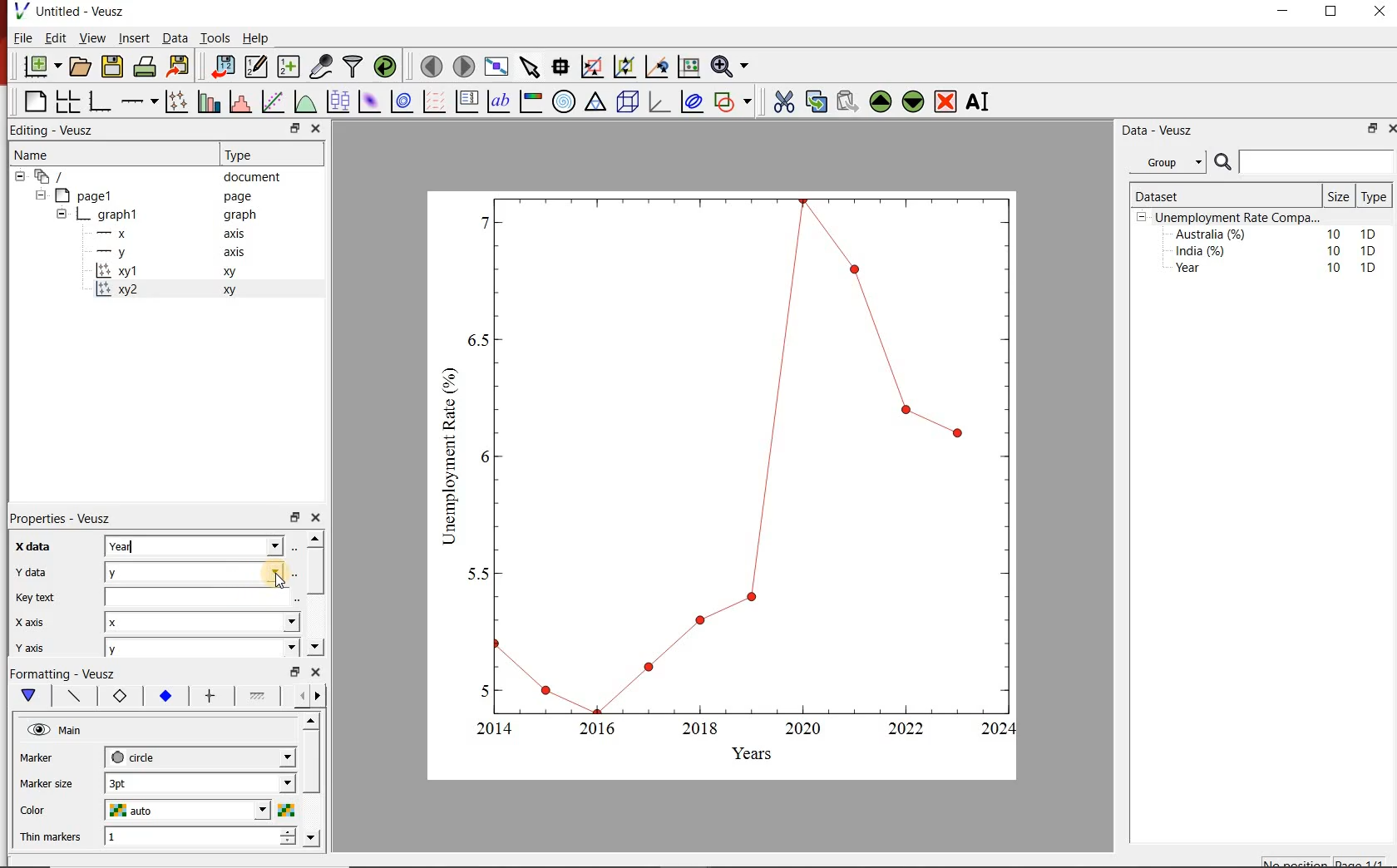  Describe the element at coordinates (1277, 234) in the screenshot. I see `Australia (%) 10 1D` at that location.